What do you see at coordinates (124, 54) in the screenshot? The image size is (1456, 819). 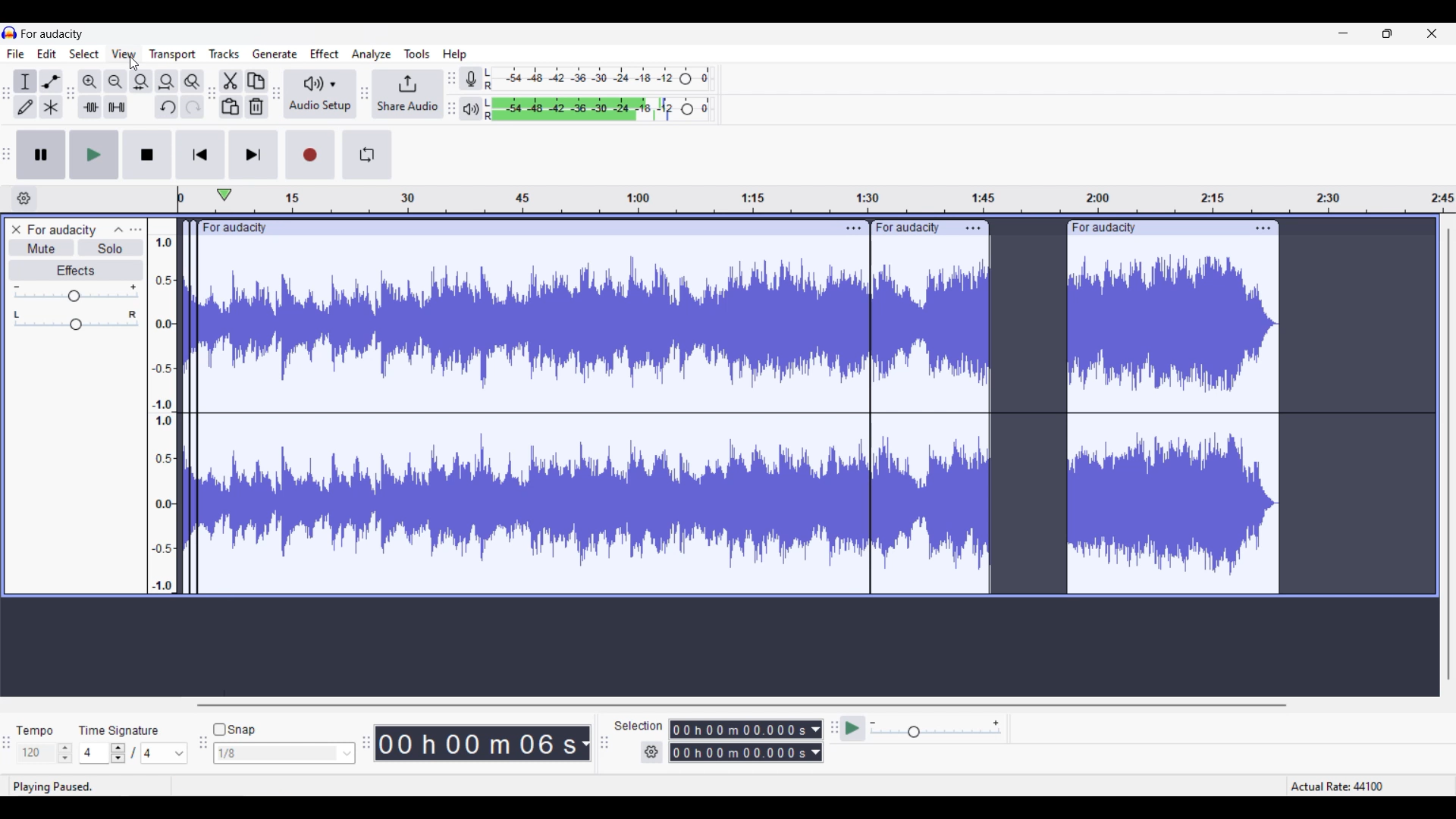 I see `View menu` at bounding box center [124, 54].